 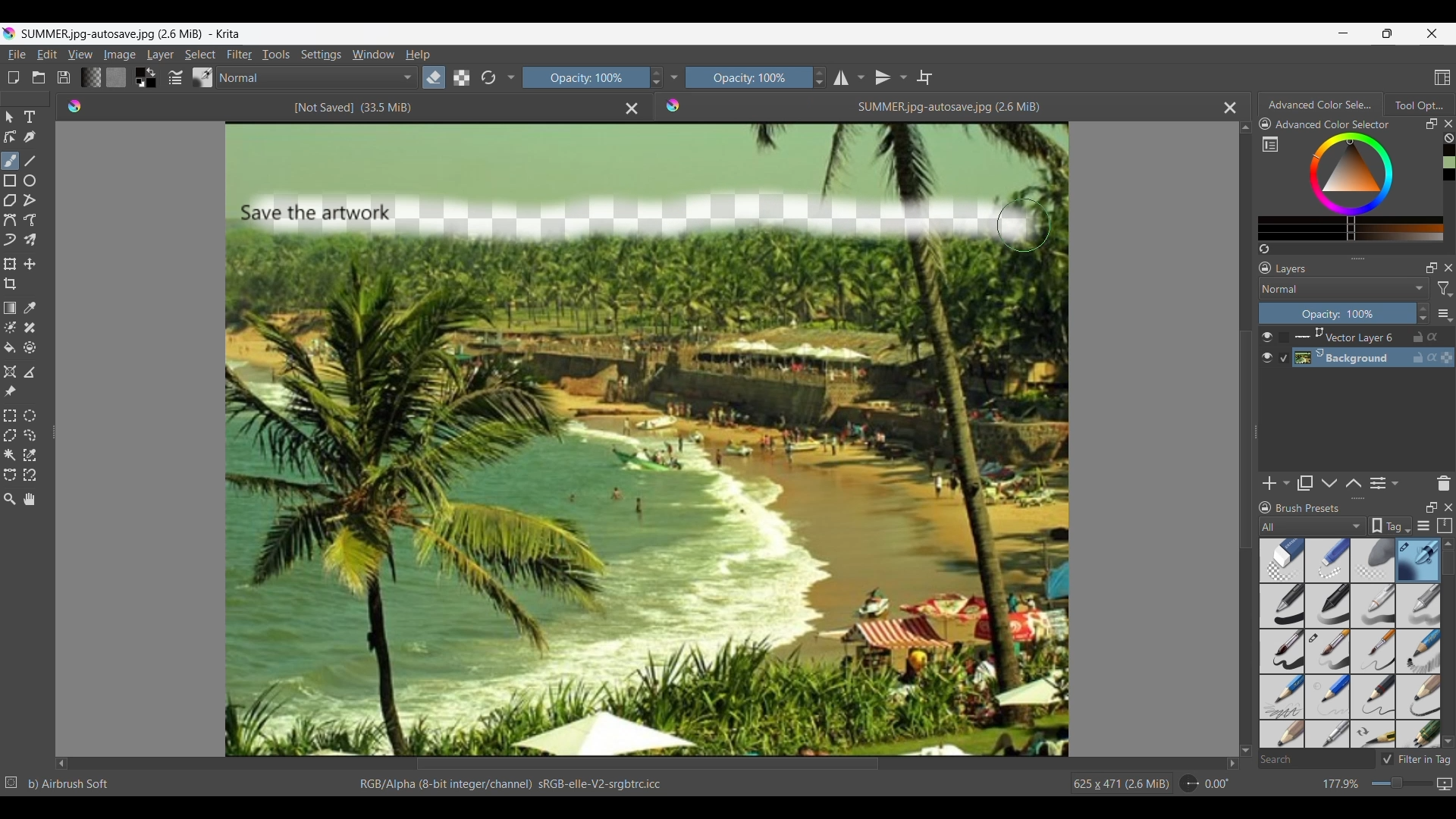 What do you see at coordinates (1443, 526) in the screenshot?
I see `Storage resources` at bounding box center [1443, 526].